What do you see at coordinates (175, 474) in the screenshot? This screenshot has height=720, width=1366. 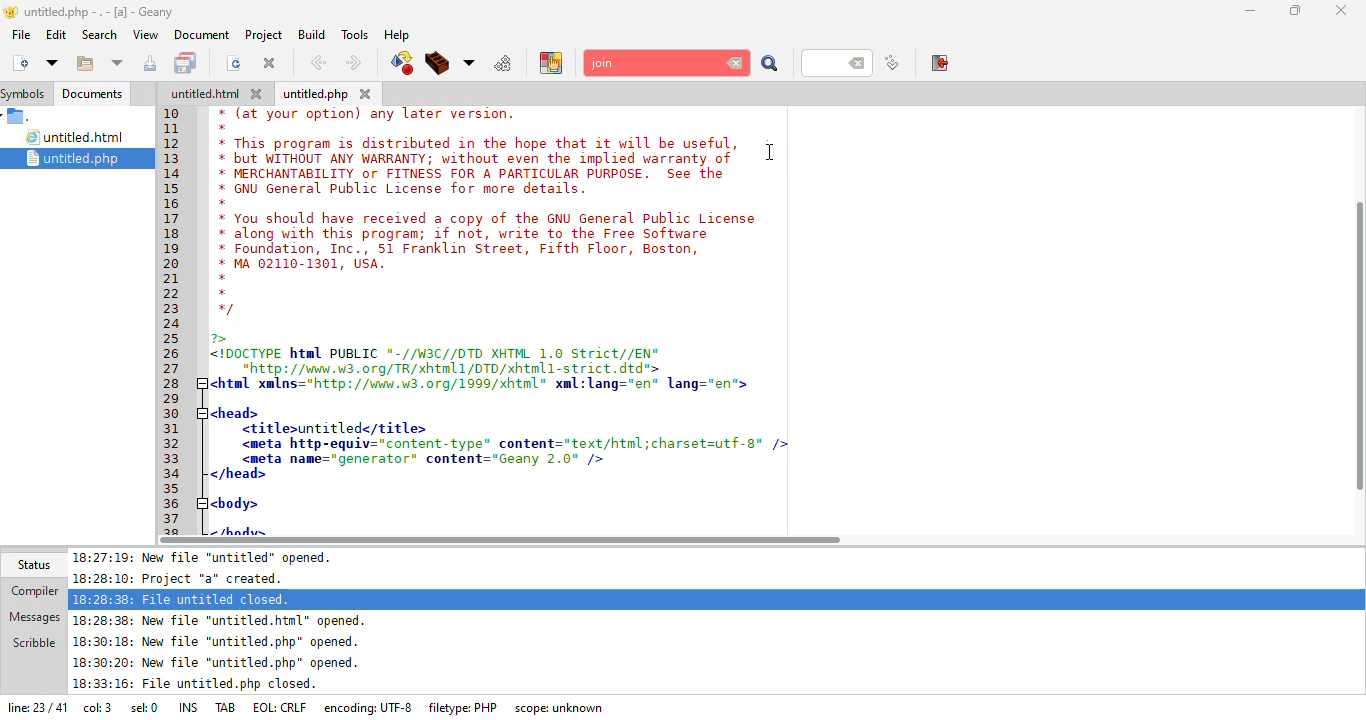 I see `34` at bounding box center [175, 474].